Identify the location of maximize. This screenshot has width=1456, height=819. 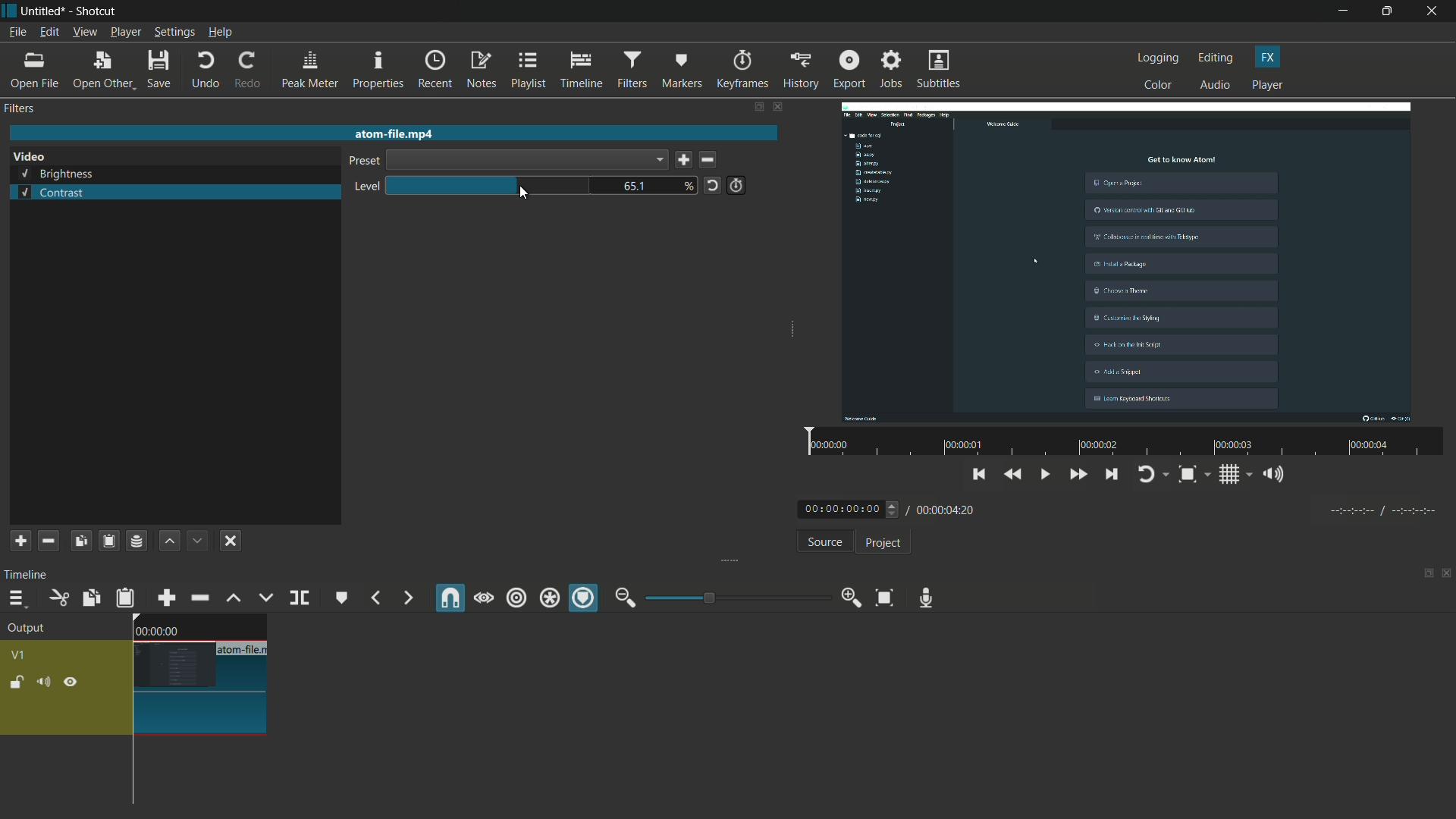
(1389, 11).